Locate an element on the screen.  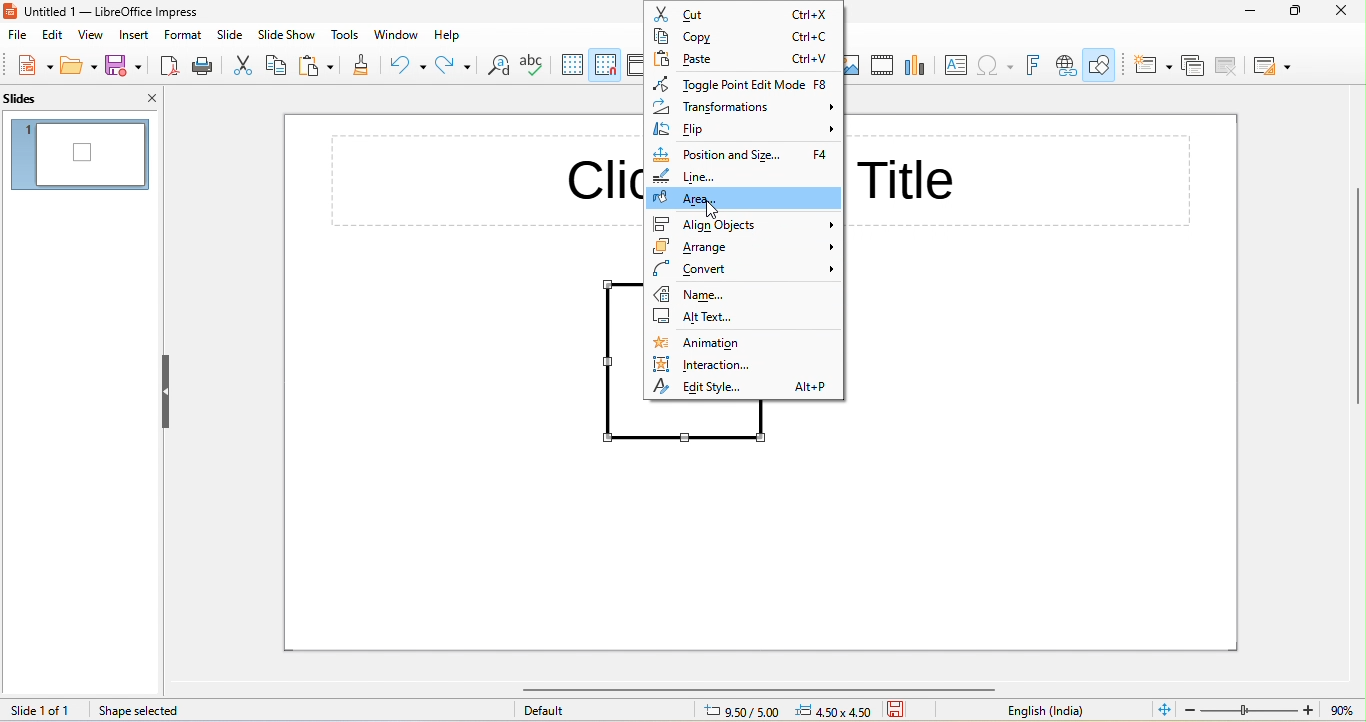
spelling is located at coordinates (534, 65).